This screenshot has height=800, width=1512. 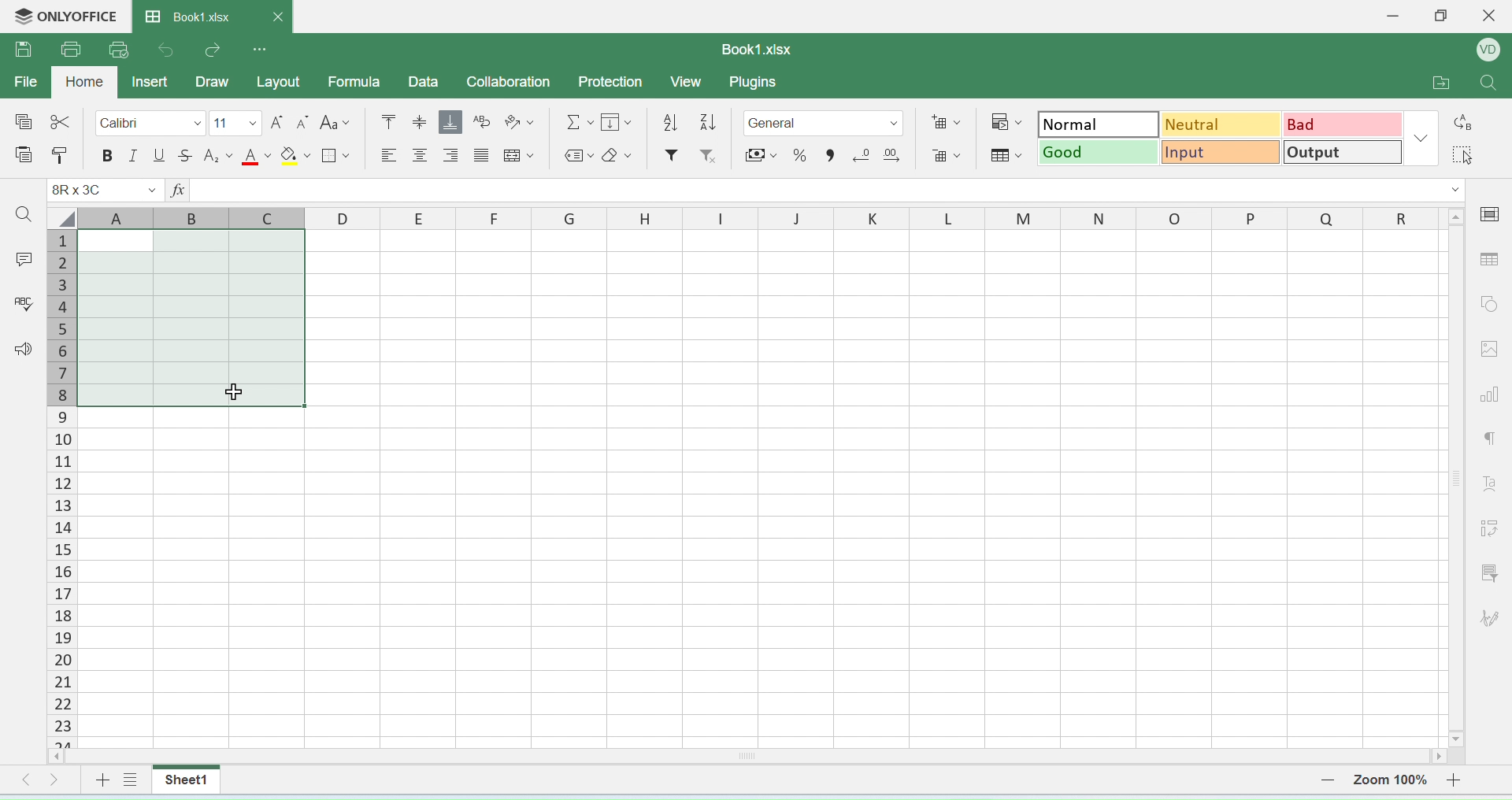 What do you see at coordinates (1325, 779) in the screenshot?
I see `zoom out` at bounding box center [1325, 779].